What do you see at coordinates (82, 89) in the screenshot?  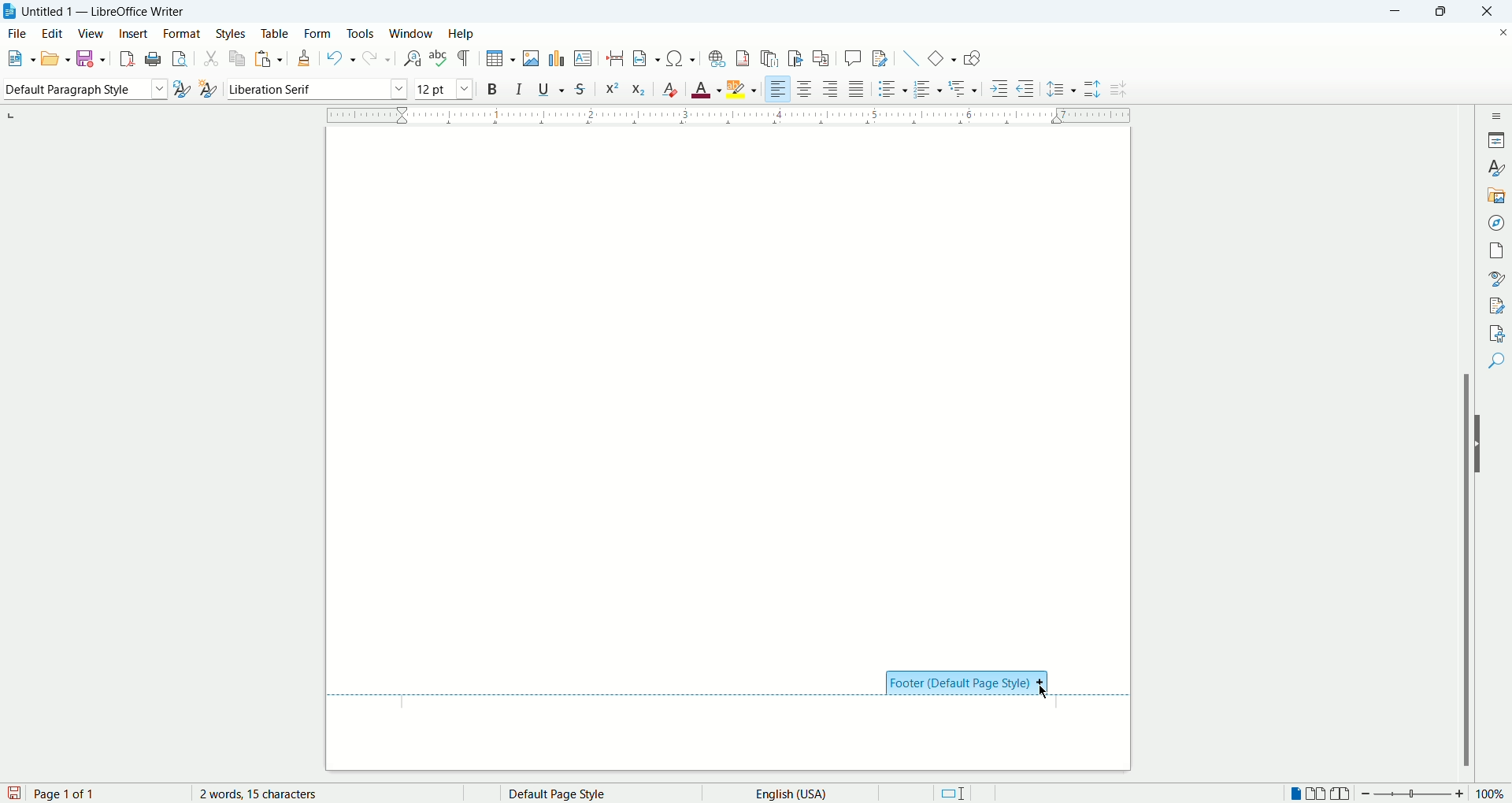 I see `paragraph style` at bounding box center [82, 89].